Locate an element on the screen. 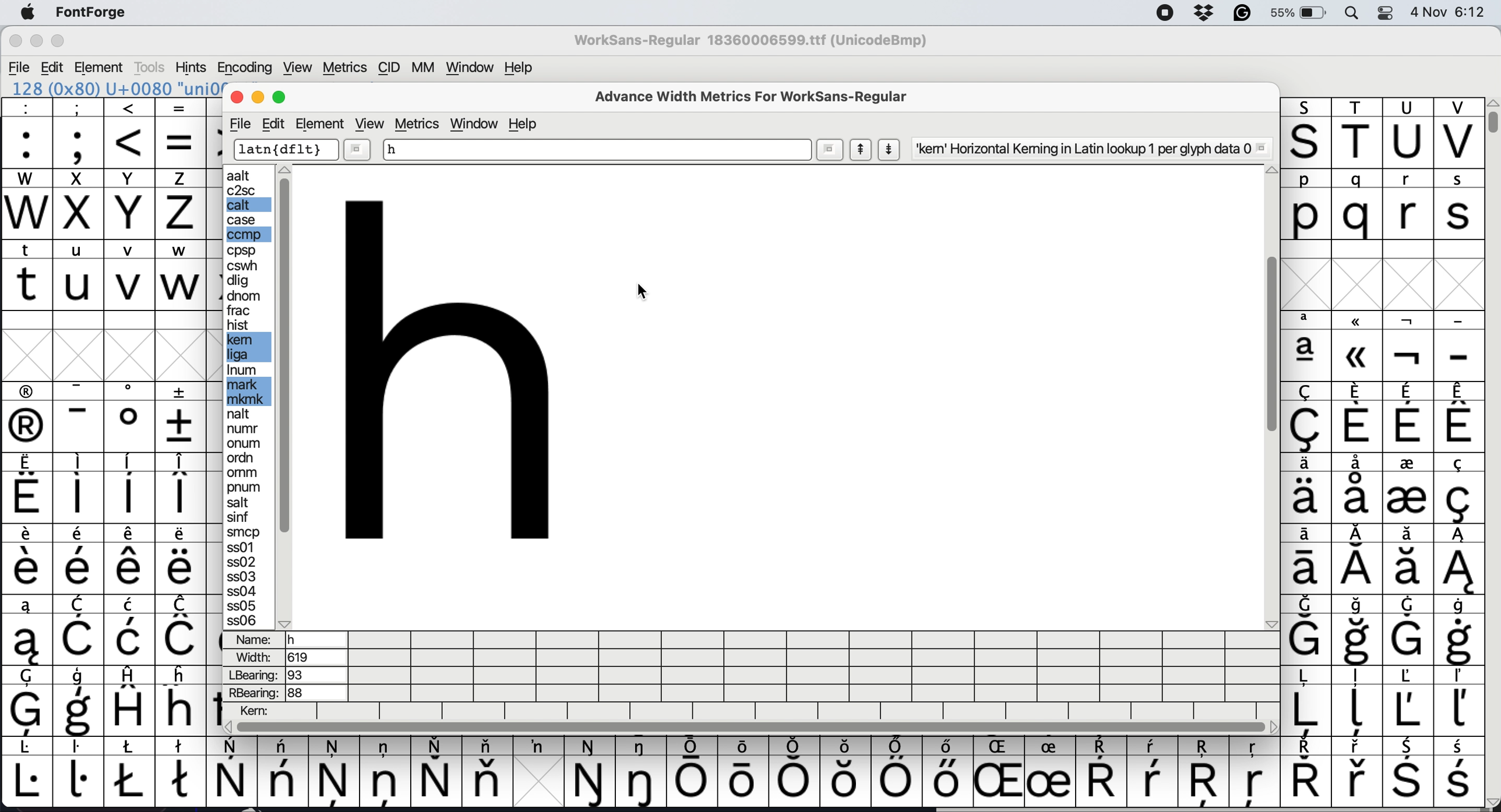  metrics is located at coordinates (420, 124).